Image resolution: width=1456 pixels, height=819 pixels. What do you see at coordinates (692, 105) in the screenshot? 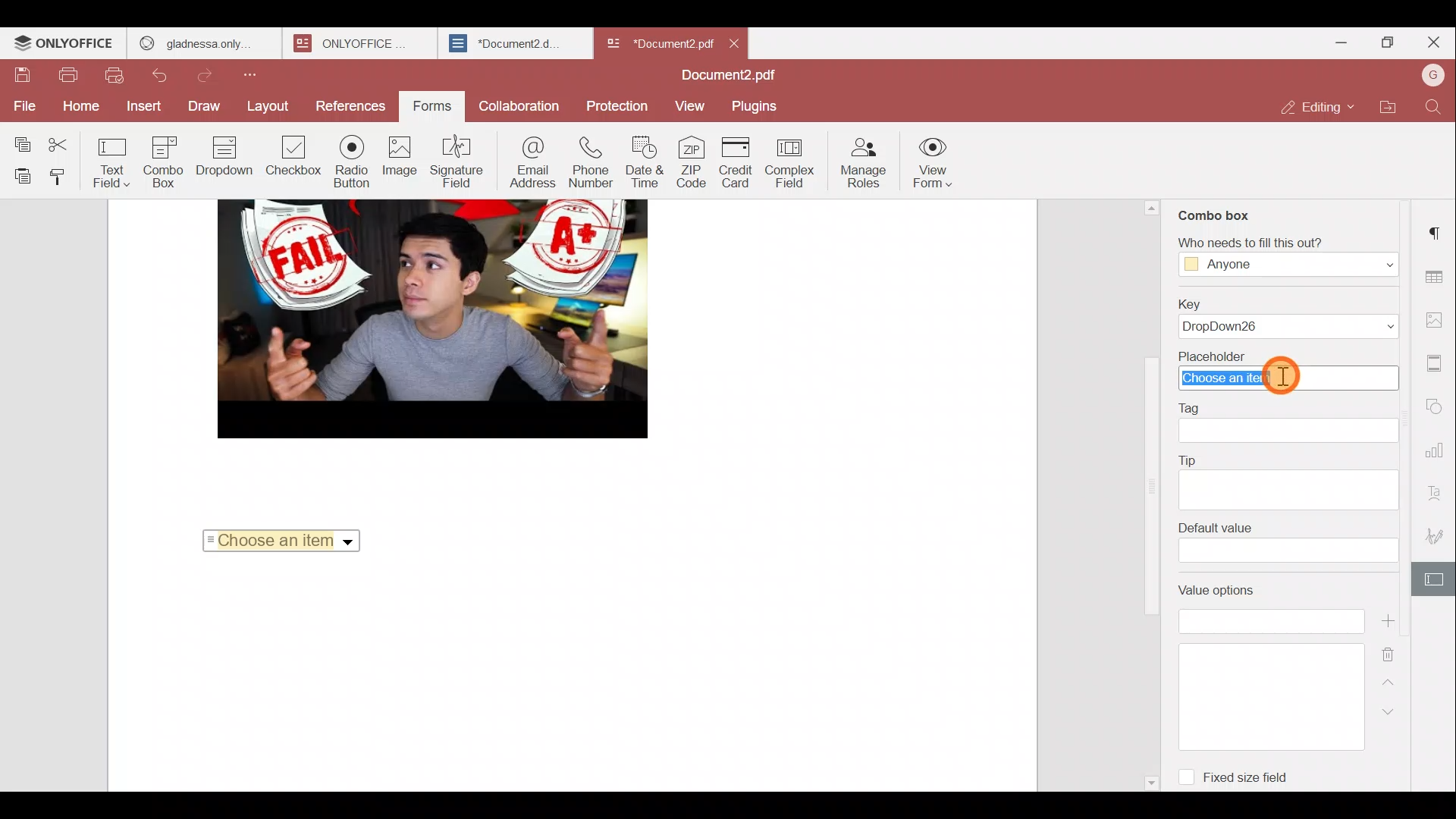
I see `View` at bounding box center [692, 105].